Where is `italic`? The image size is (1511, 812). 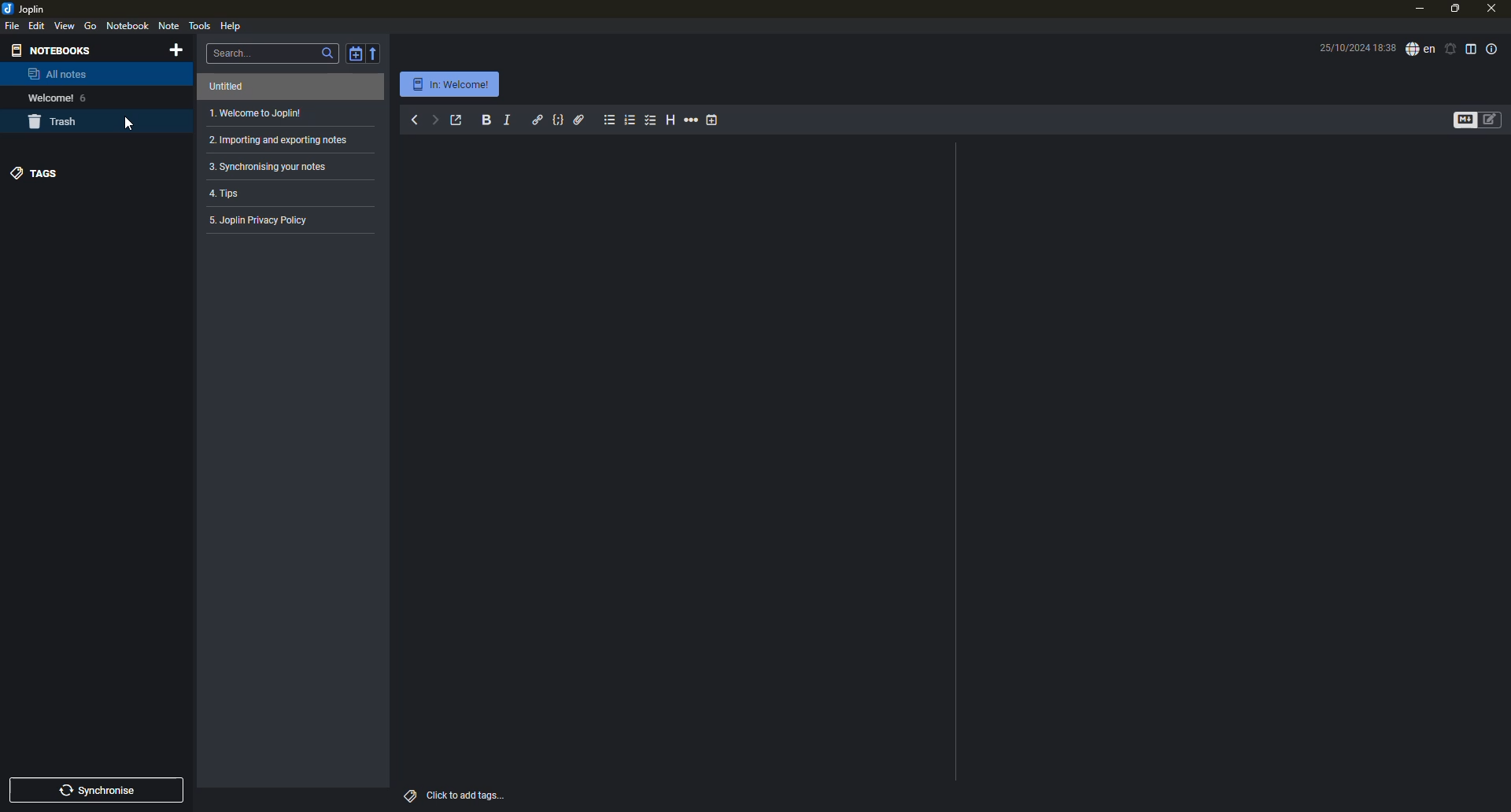 italic is located at coordinates (510, 118).